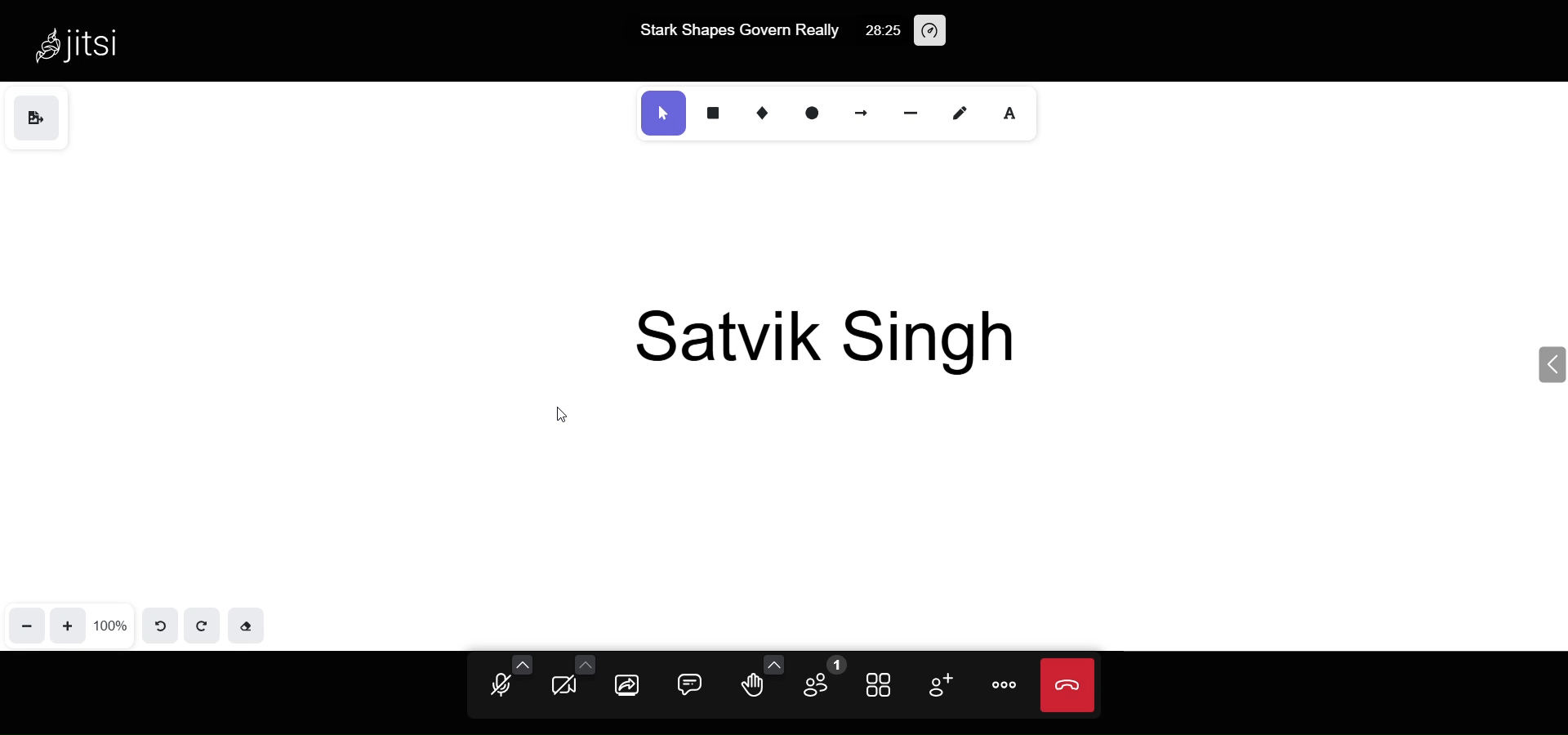  Describe the element at coordinates (629, 687) in the screenshot. I see `screen share` at that location.